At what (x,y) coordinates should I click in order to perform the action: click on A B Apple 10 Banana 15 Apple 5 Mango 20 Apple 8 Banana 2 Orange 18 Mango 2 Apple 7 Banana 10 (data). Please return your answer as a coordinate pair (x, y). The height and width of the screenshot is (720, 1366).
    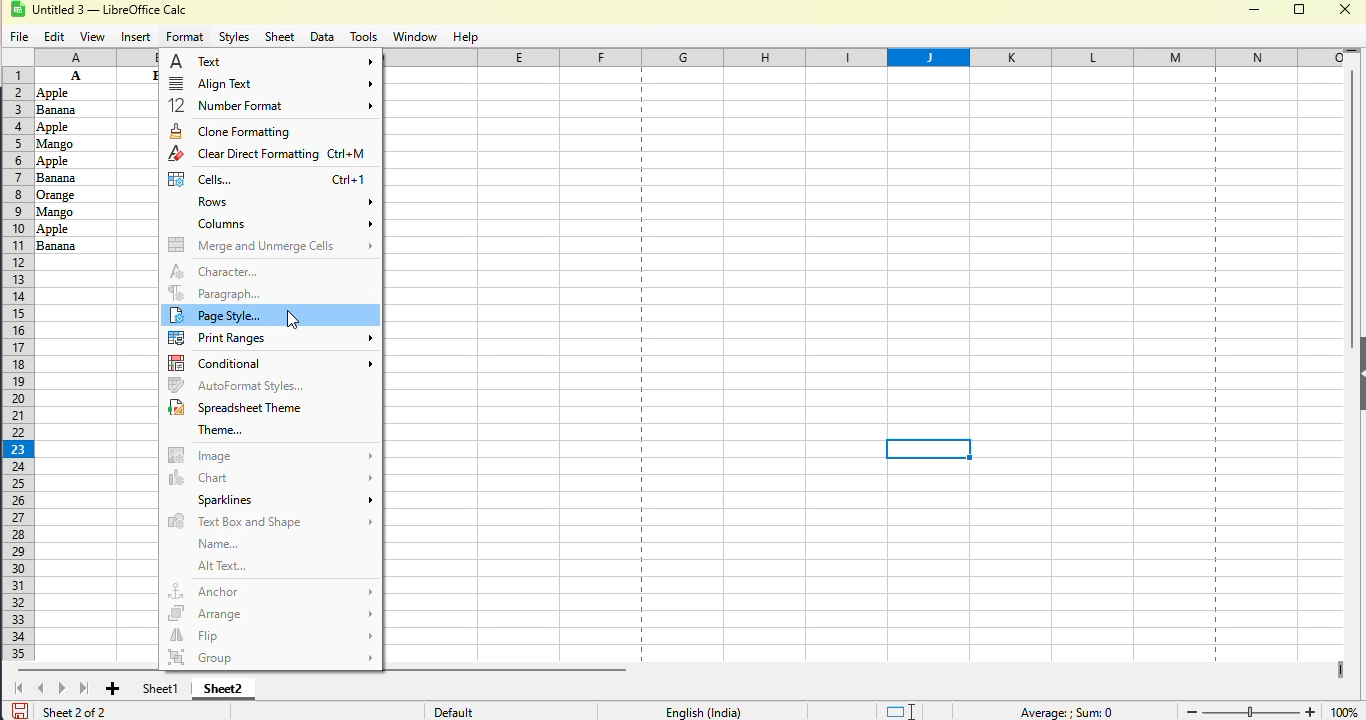
    Looking at the image, I should click on (75, 75).